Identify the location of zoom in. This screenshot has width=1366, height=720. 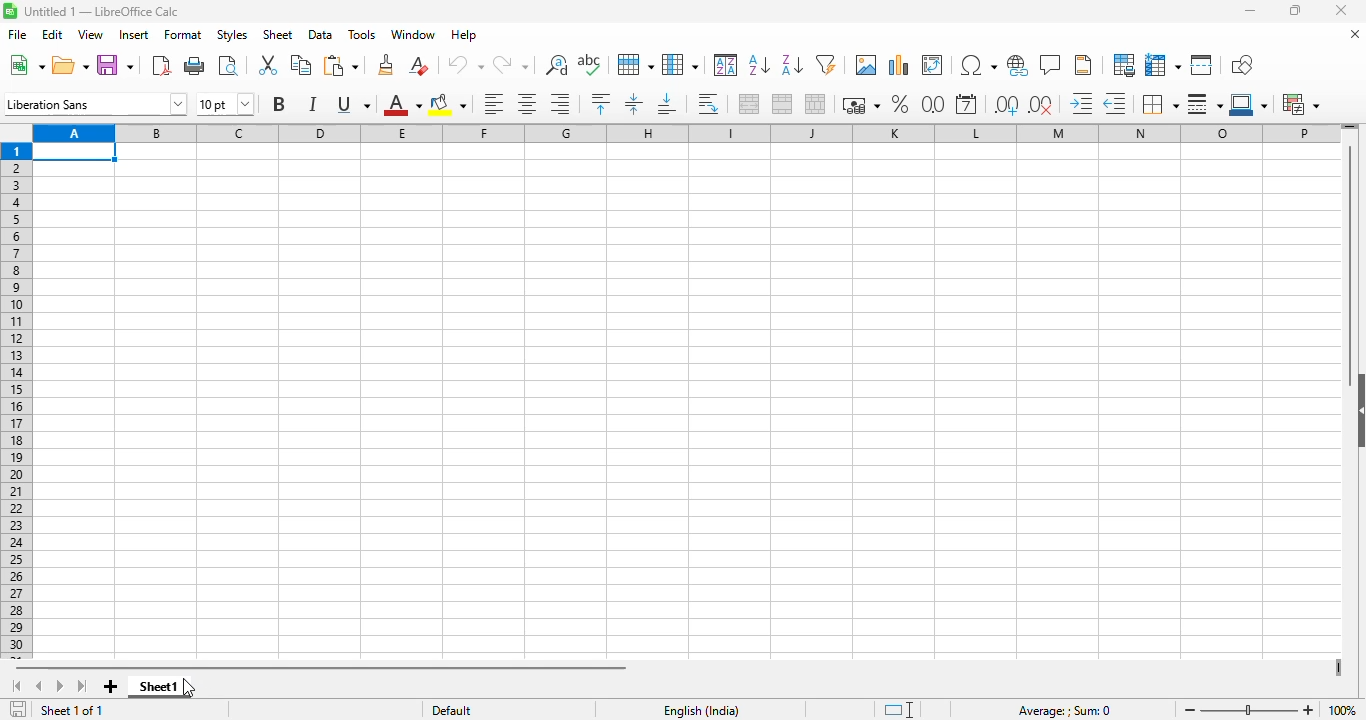
(1309, 710).